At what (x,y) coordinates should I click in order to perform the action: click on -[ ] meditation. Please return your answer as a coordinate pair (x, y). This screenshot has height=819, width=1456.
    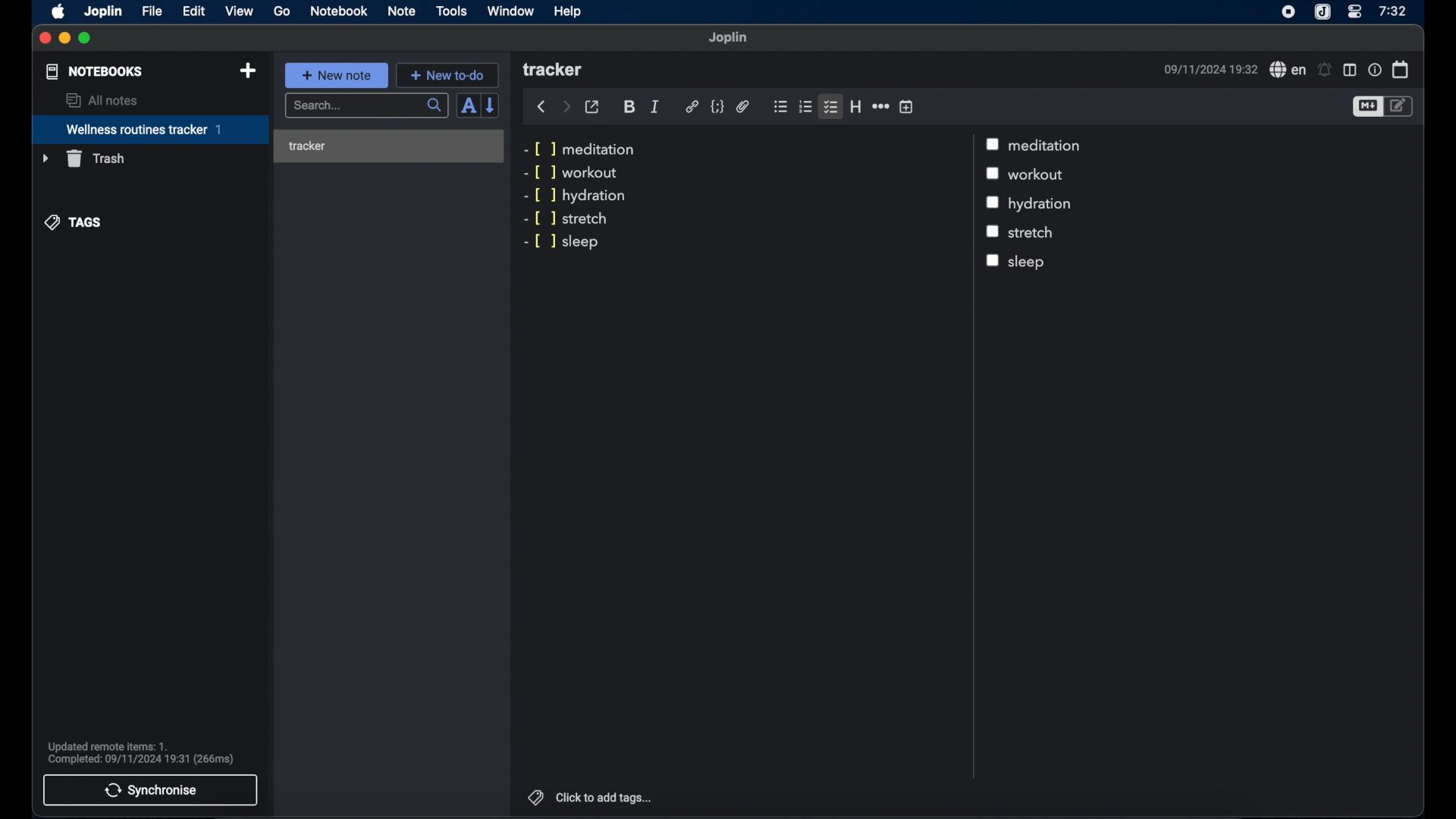
    Looking at the image, I should click on (582, 149).